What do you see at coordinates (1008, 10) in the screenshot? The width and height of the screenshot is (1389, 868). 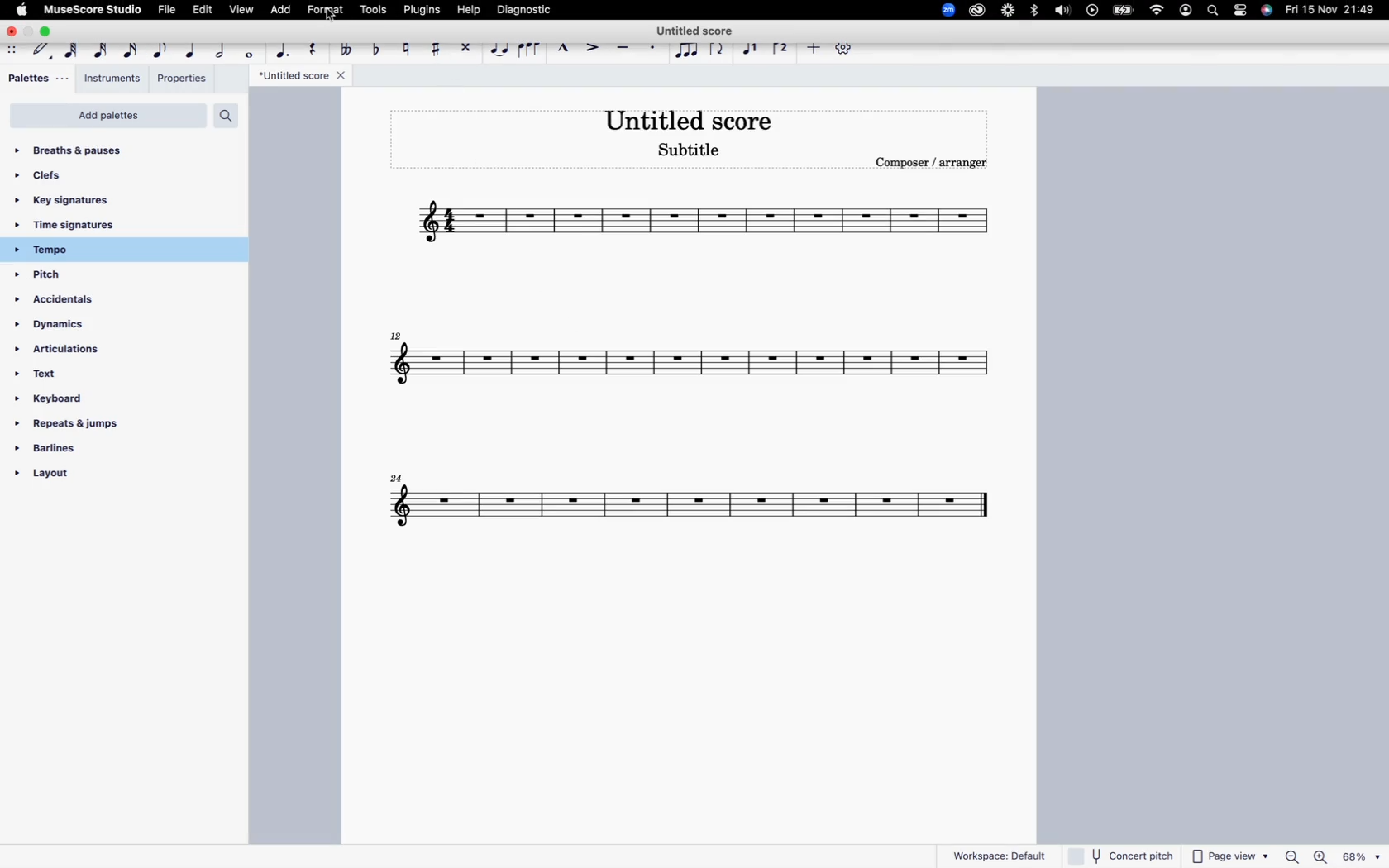 I see `loom` at bounding box center [1008, 10].